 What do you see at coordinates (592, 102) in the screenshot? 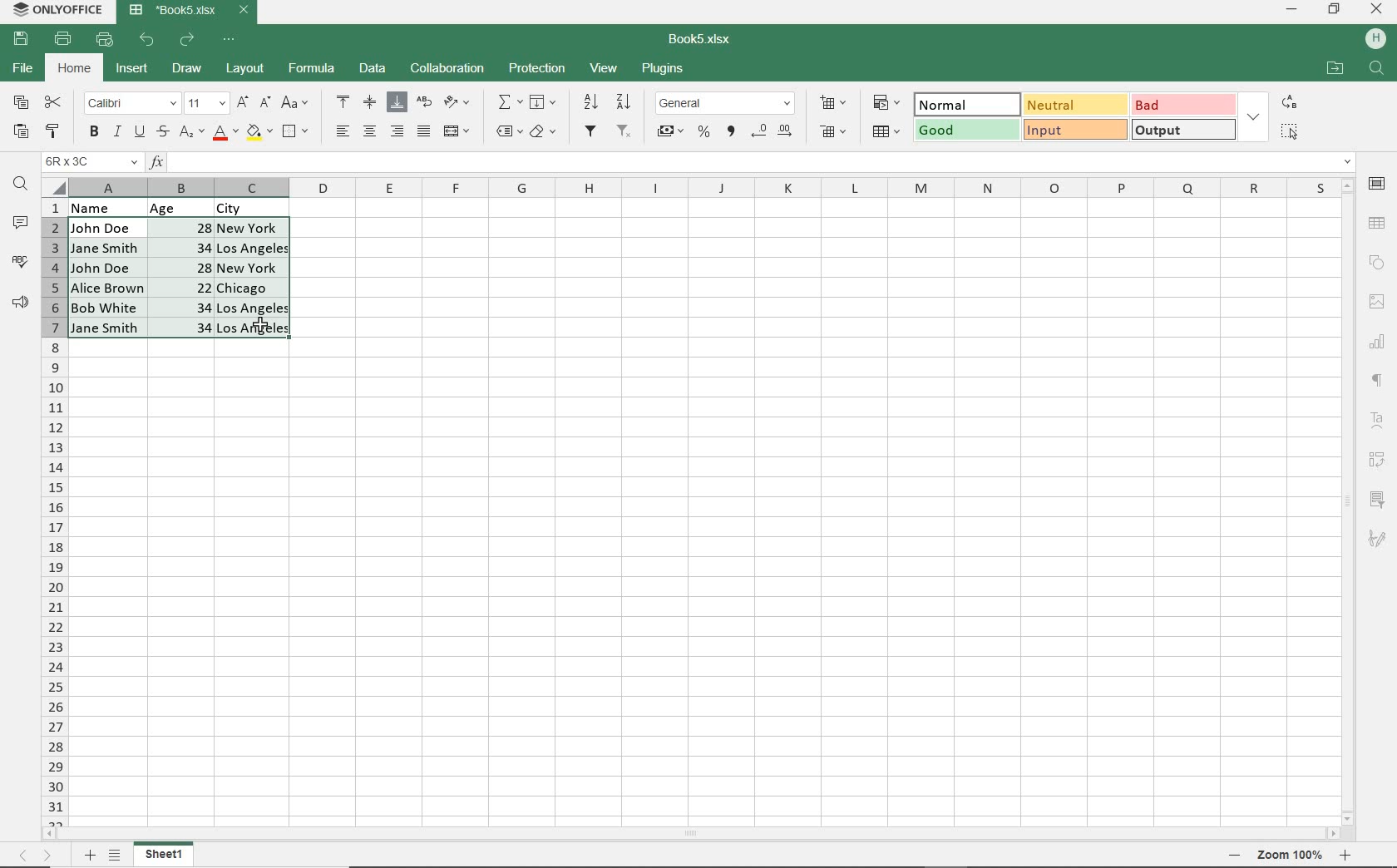
I see `SORTASCENDING` at bounding box center [592, 102].